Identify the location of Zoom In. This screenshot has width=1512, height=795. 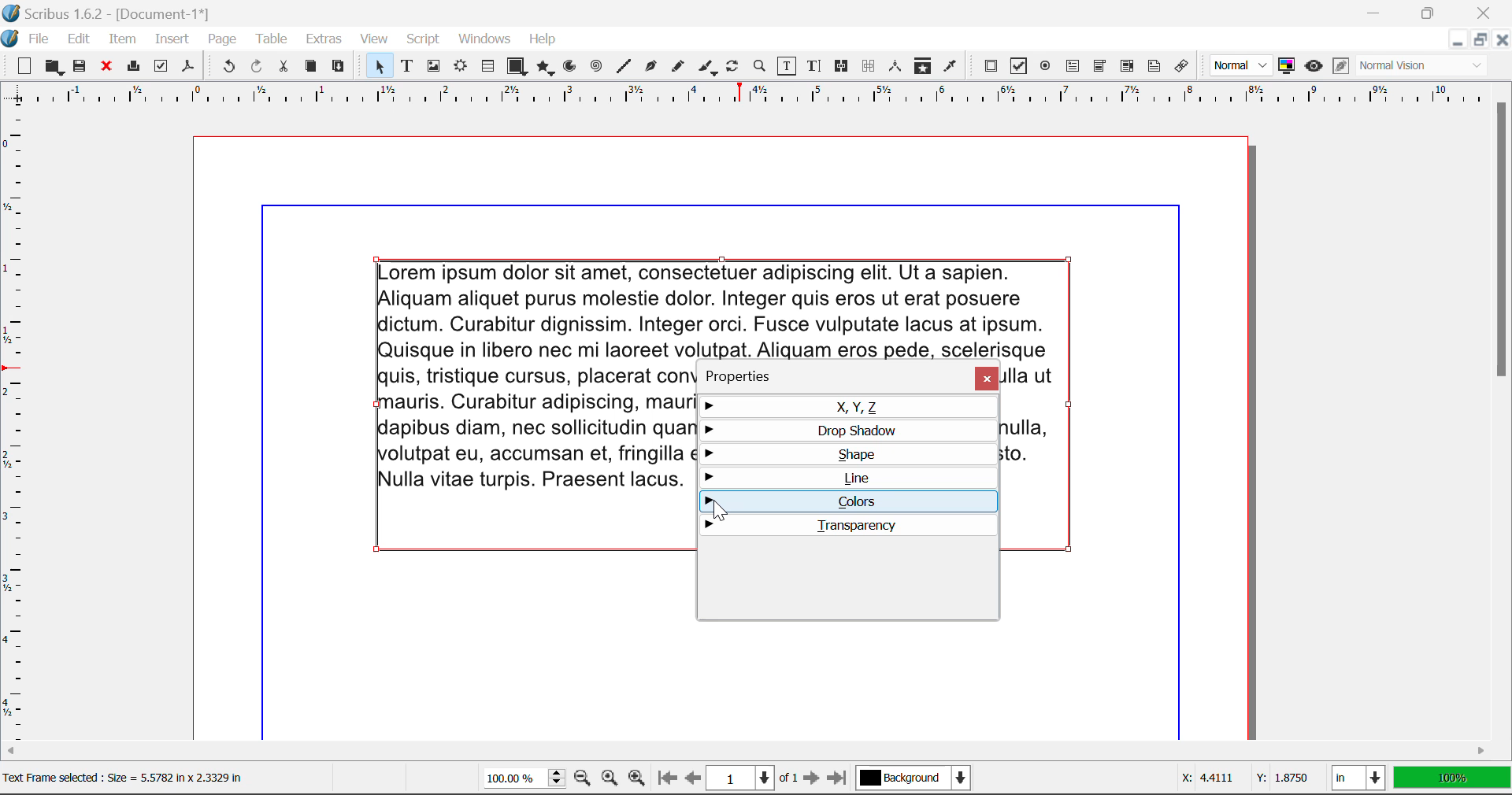
(637, 780).